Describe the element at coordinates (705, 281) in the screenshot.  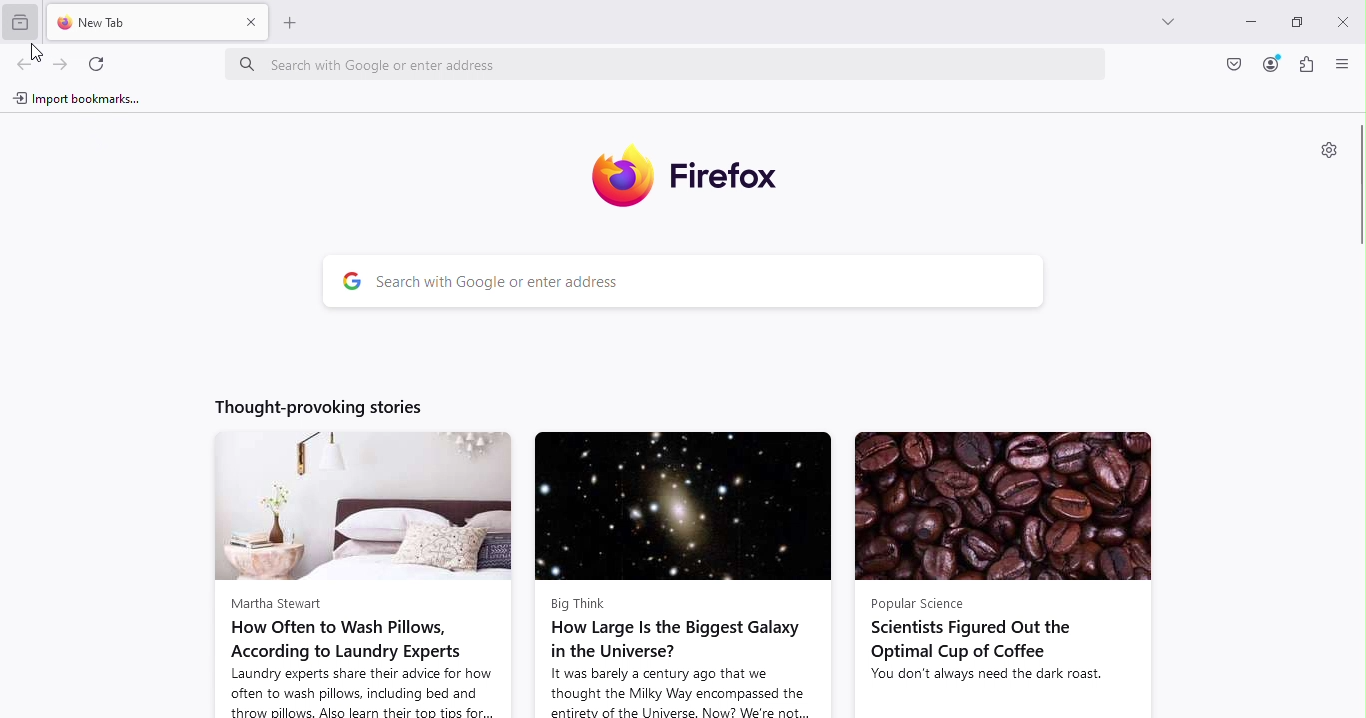
I see `Search bar` at that location.